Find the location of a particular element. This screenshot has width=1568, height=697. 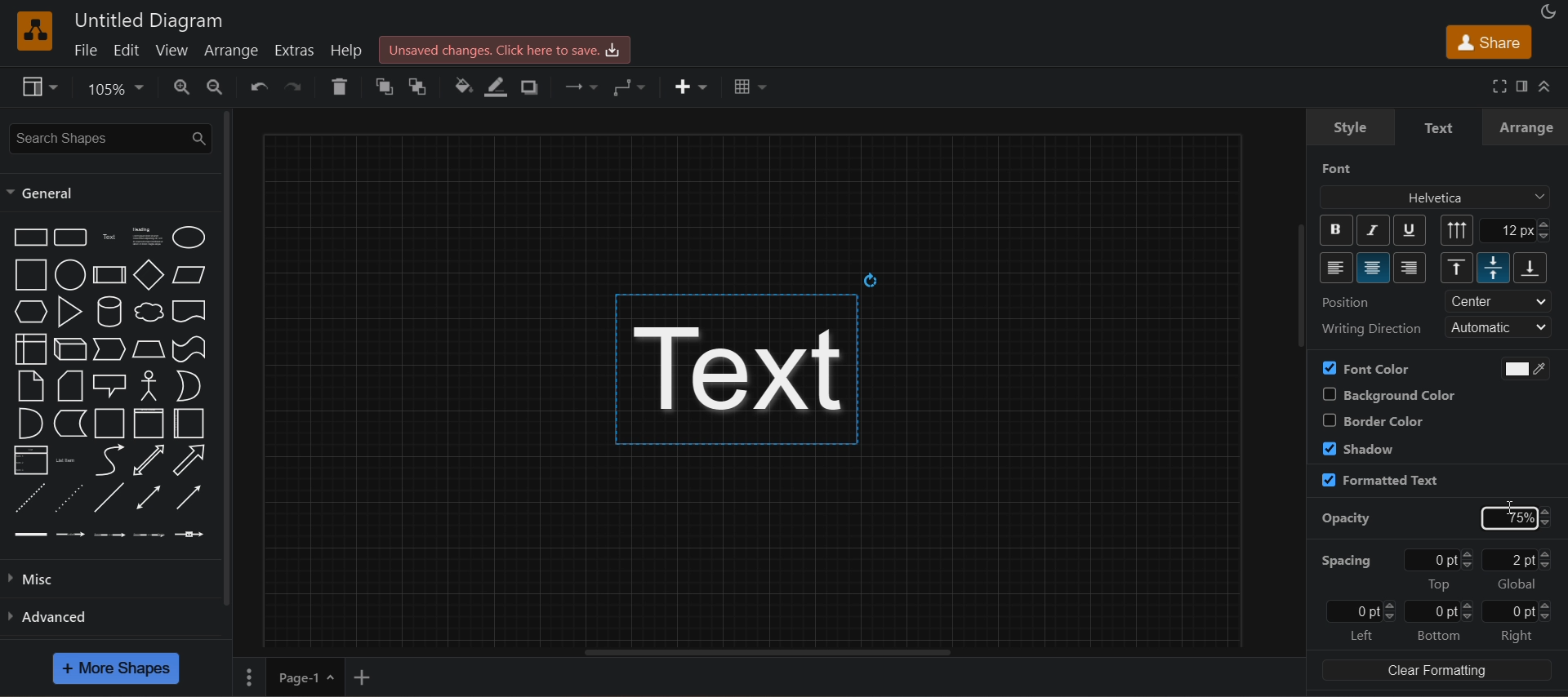

extras is located at coordinates (292, 49).